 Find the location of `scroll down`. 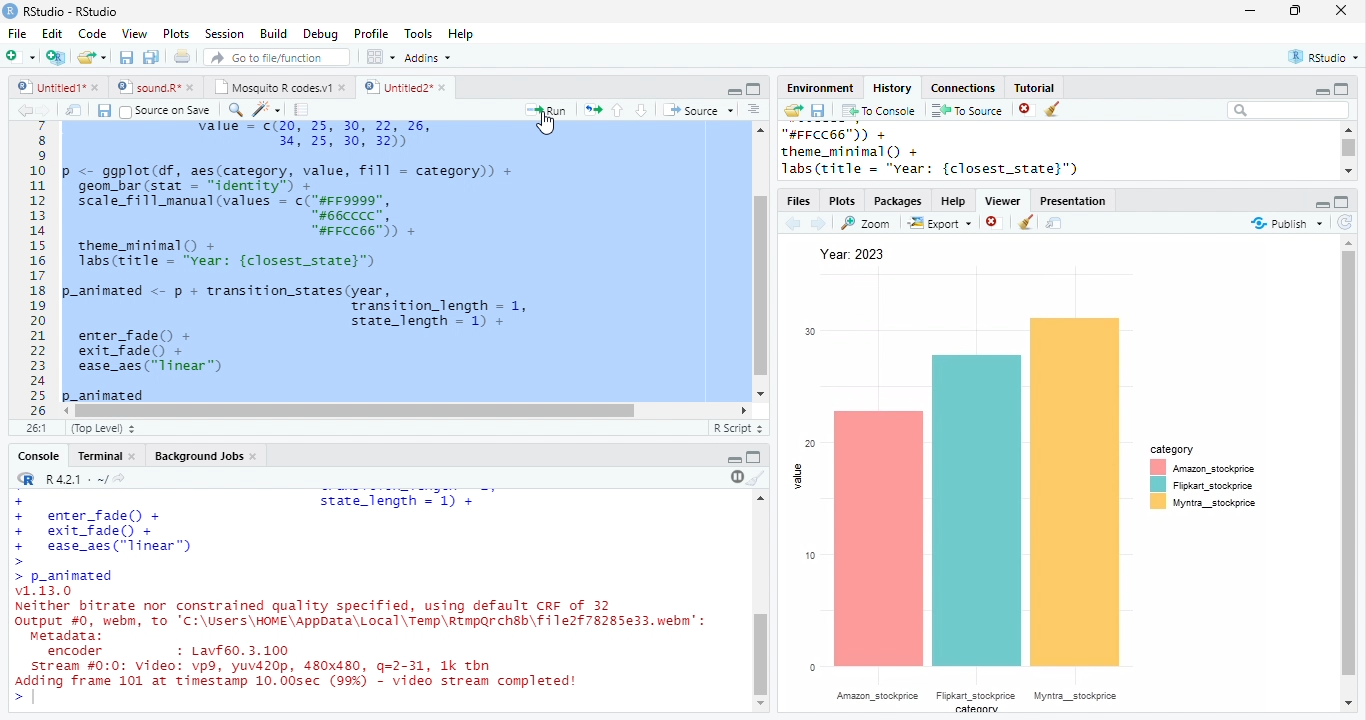

scroll down is located at coordinates (761, 704).